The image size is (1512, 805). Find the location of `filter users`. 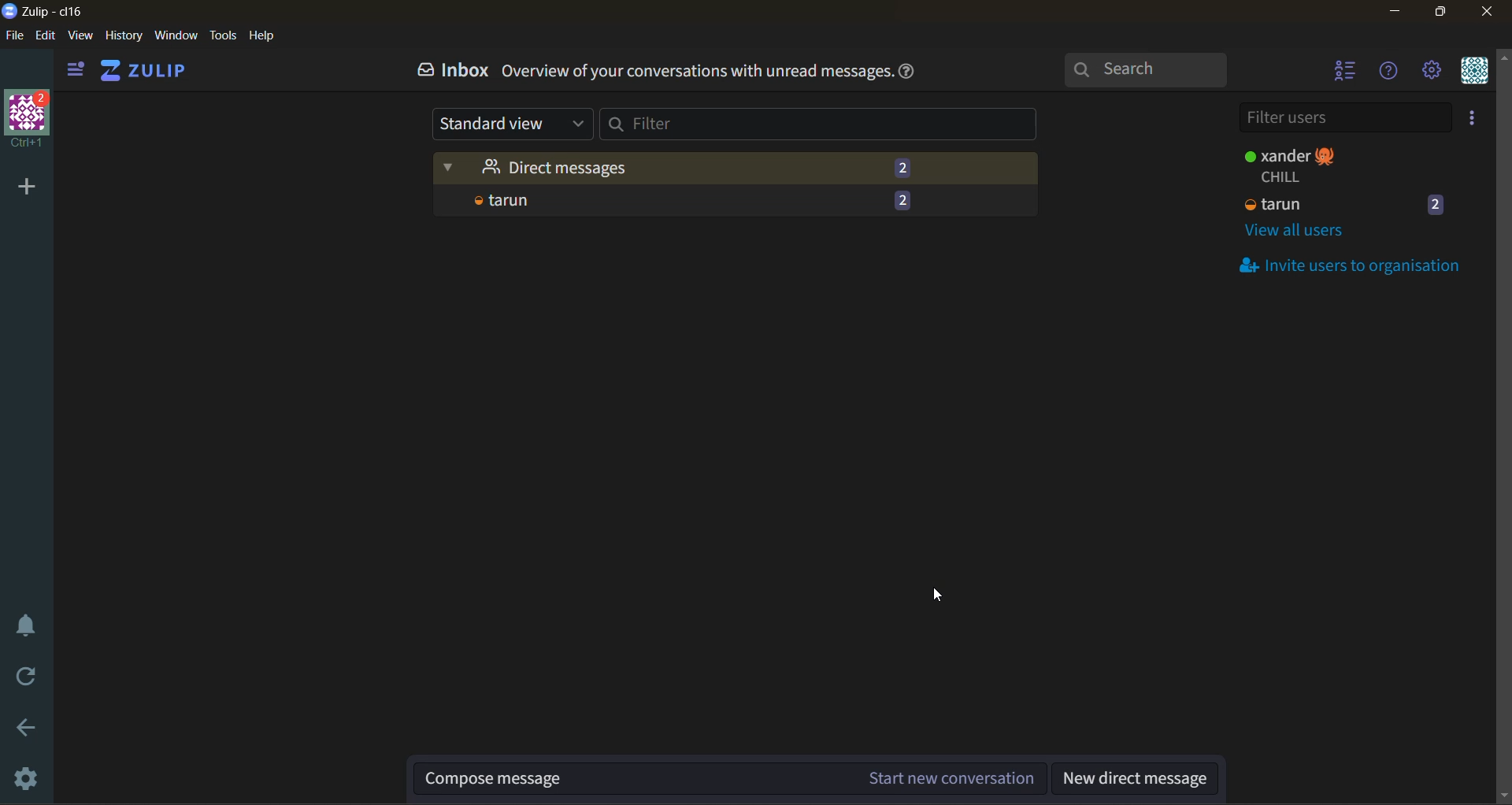

filter users is located at coordinates (1343, 118).